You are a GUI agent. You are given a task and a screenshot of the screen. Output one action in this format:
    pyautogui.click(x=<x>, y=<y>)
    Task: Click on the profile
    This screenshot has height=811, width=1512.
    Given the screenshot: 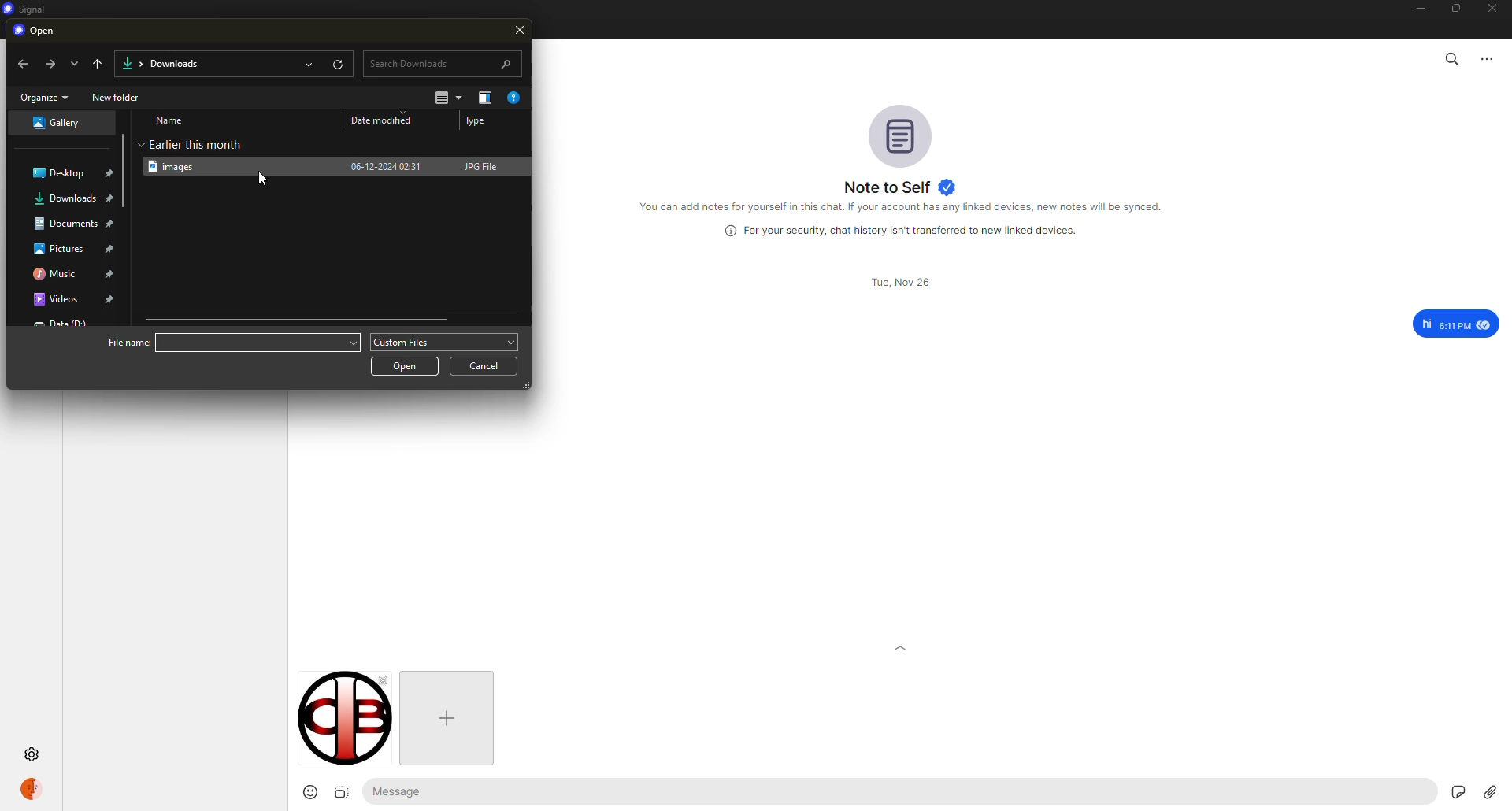 What is the action you would take?
    pyautogui.click(x=31, y=788)
    